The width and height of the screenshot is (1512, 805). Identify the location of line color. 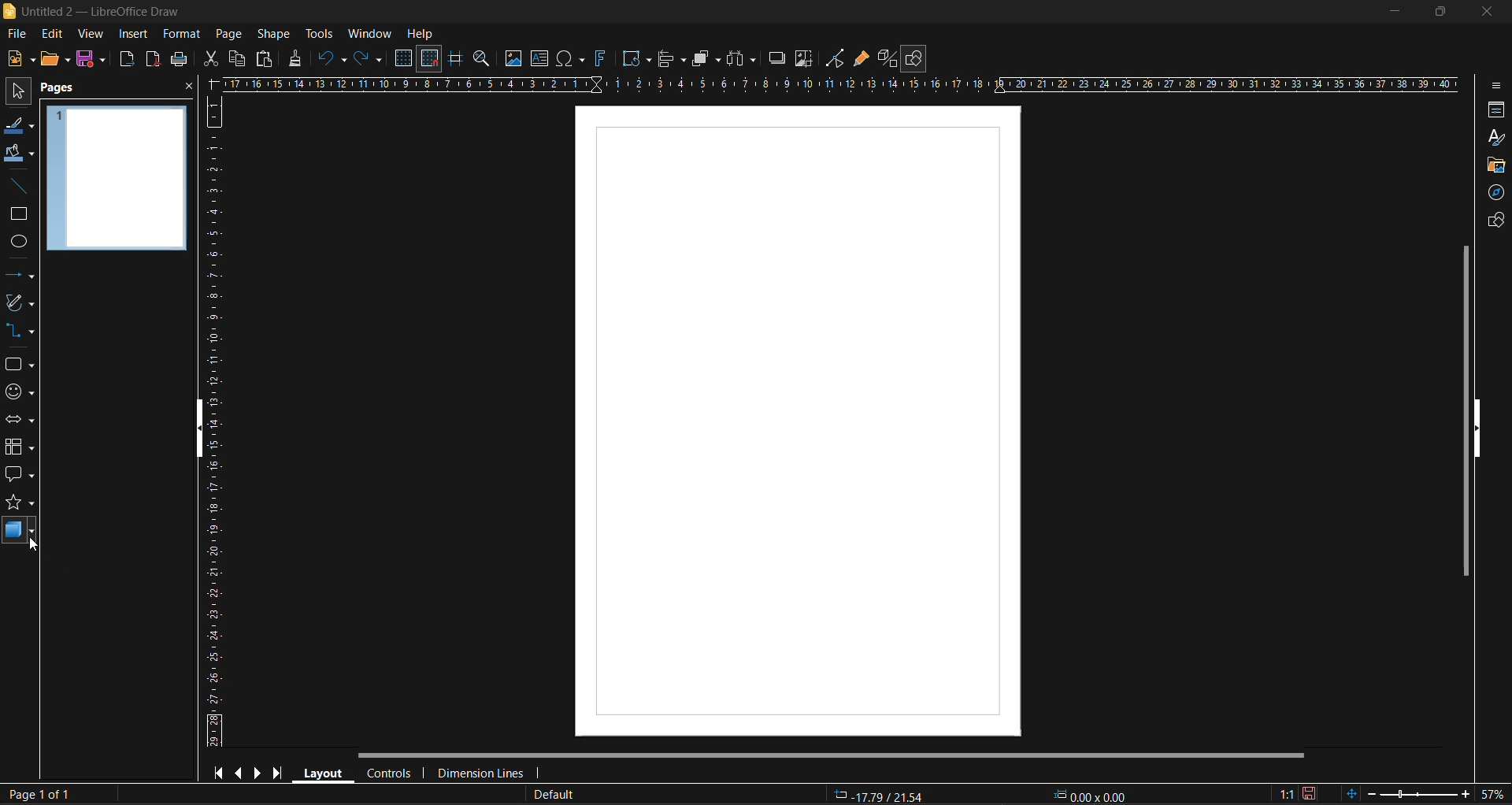
(17, 127).